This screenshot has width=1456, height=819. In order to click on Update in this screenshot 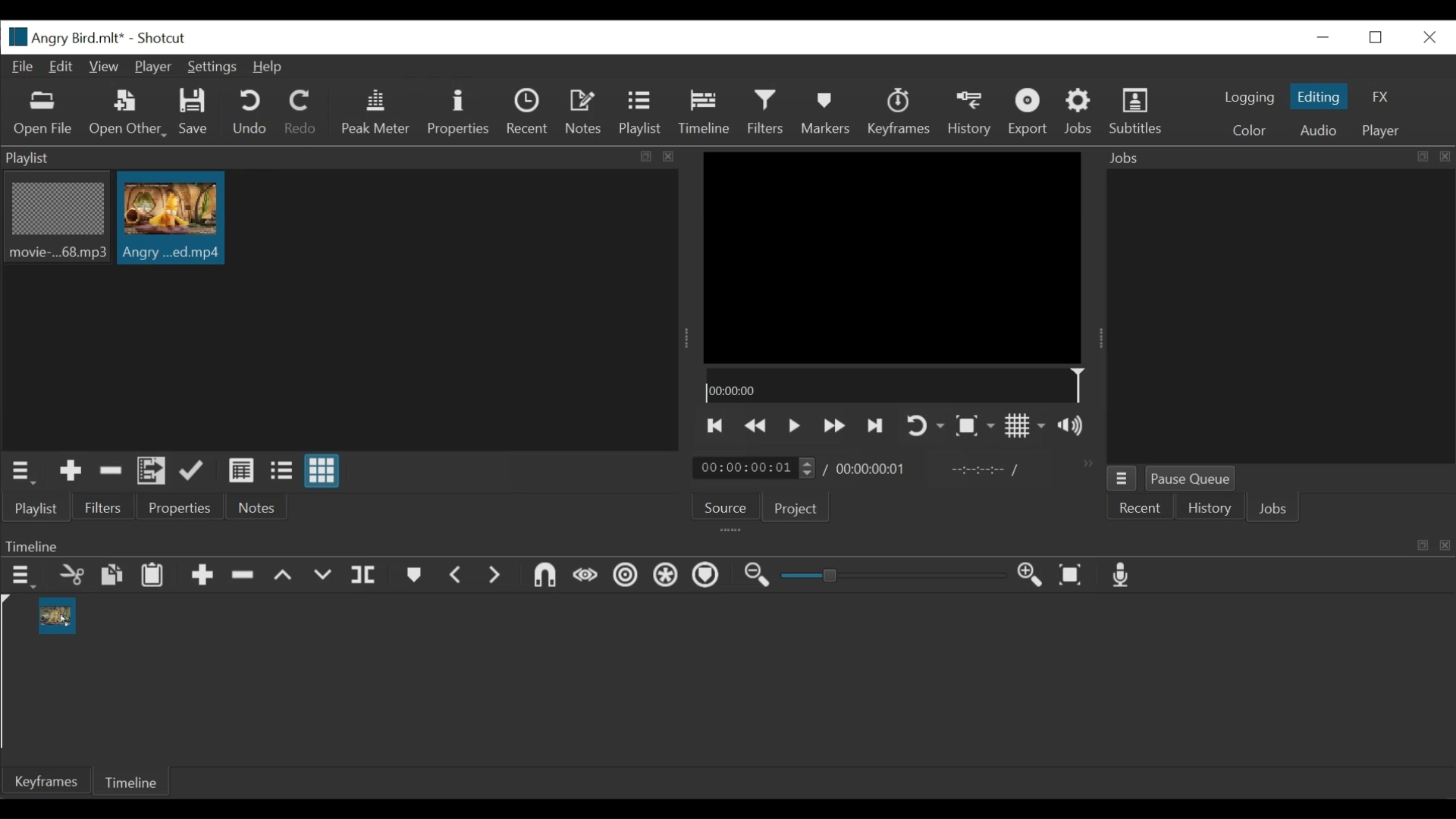, I will do `click(195, 472)`.